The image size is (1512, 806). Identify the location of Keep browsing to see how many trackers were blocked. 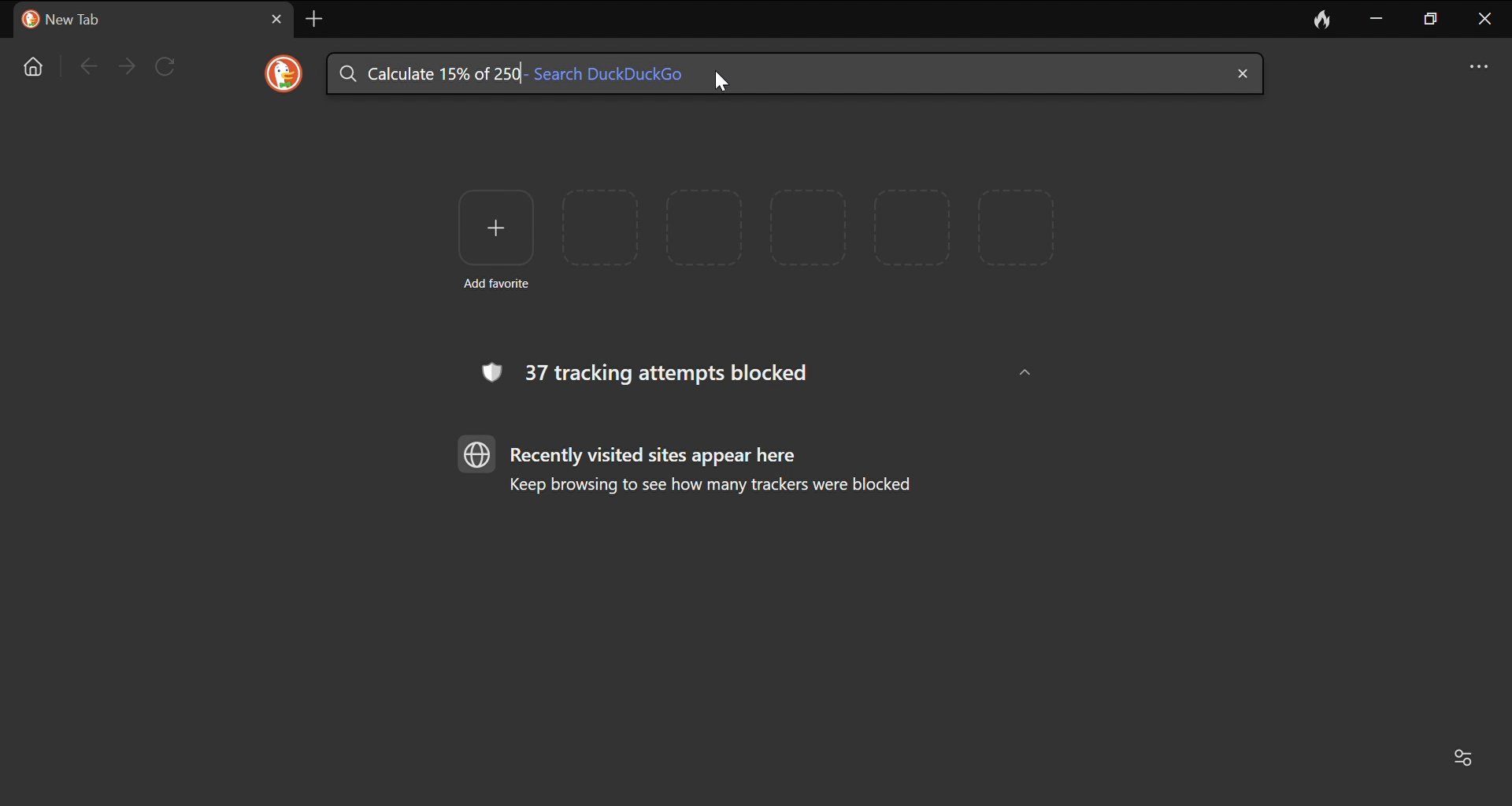
(719, 487).